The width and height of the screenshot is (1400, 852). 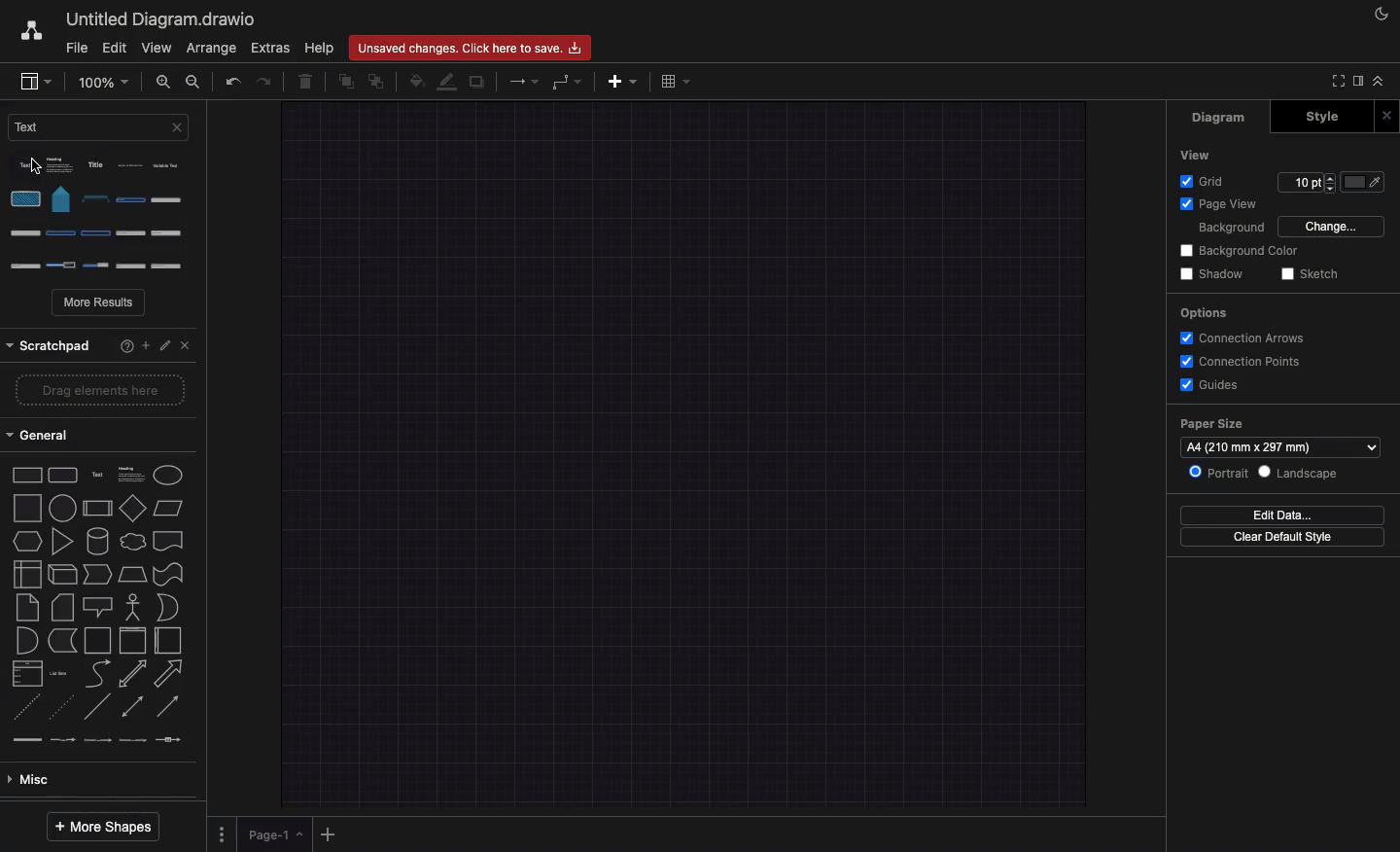 I want to click on Waypoints, so click(x=567, y=84).